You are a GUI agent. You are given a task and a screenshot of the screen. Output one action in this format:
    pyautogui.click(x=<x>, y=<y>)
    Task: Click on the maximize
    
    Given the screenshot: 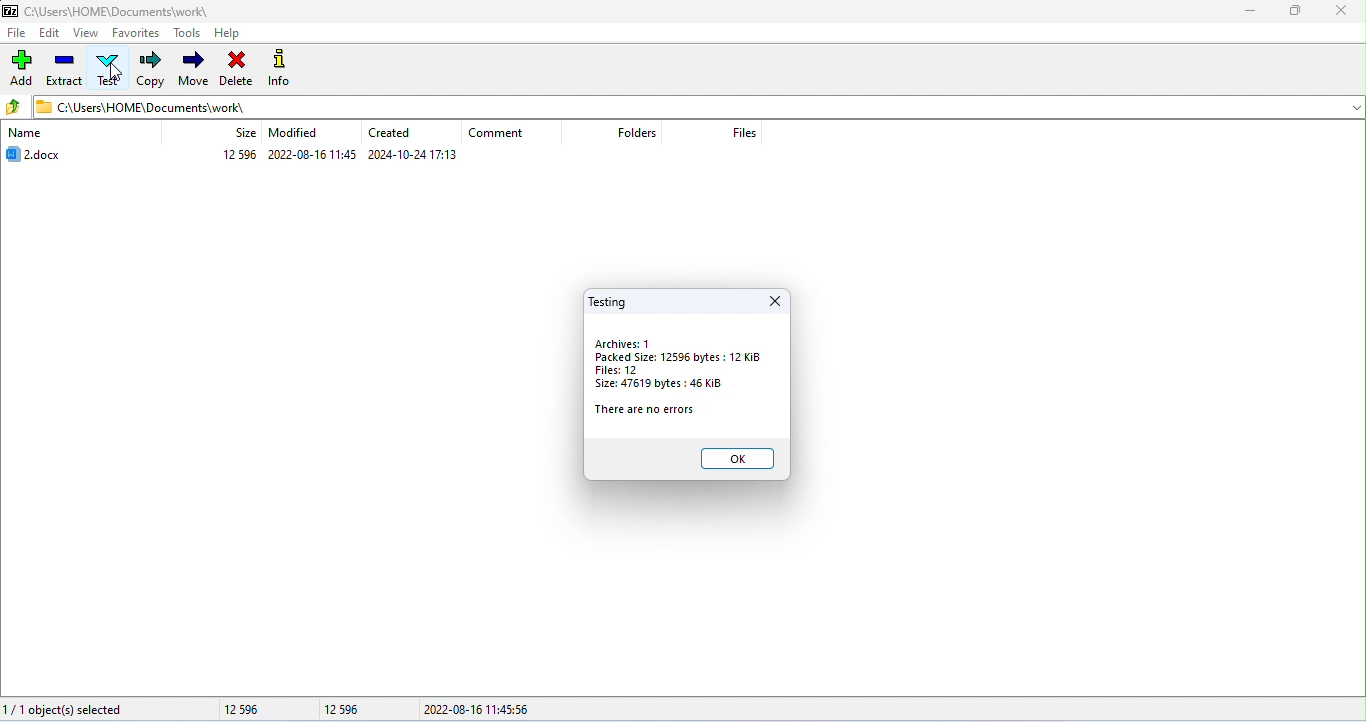 What is the action you would take?
    pyautogui.click(x=1299, y=14)
    